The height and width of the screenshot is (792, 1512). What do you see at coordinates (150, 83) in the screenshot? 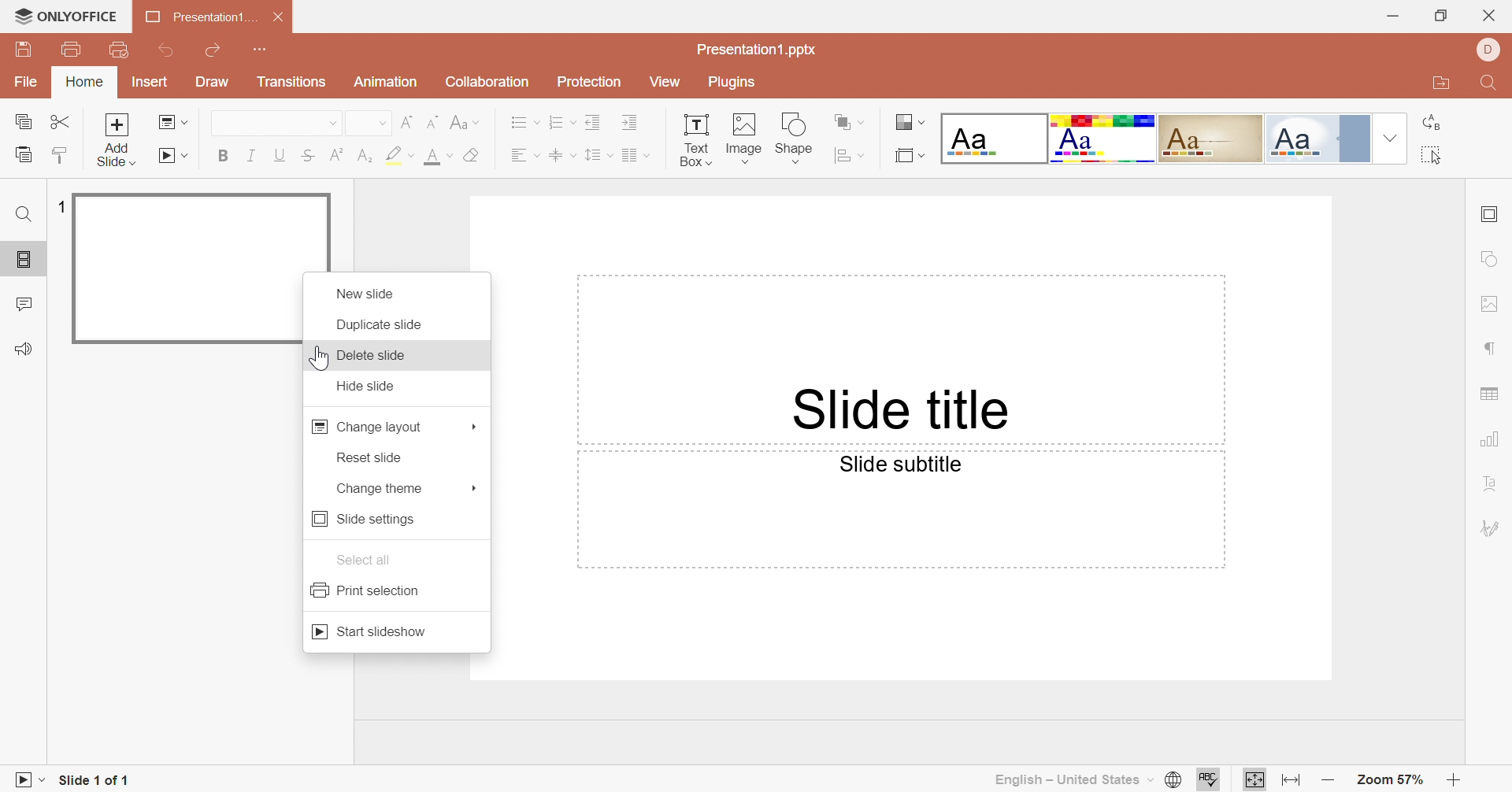
I see `Insert` at bounding box center [150, 83].